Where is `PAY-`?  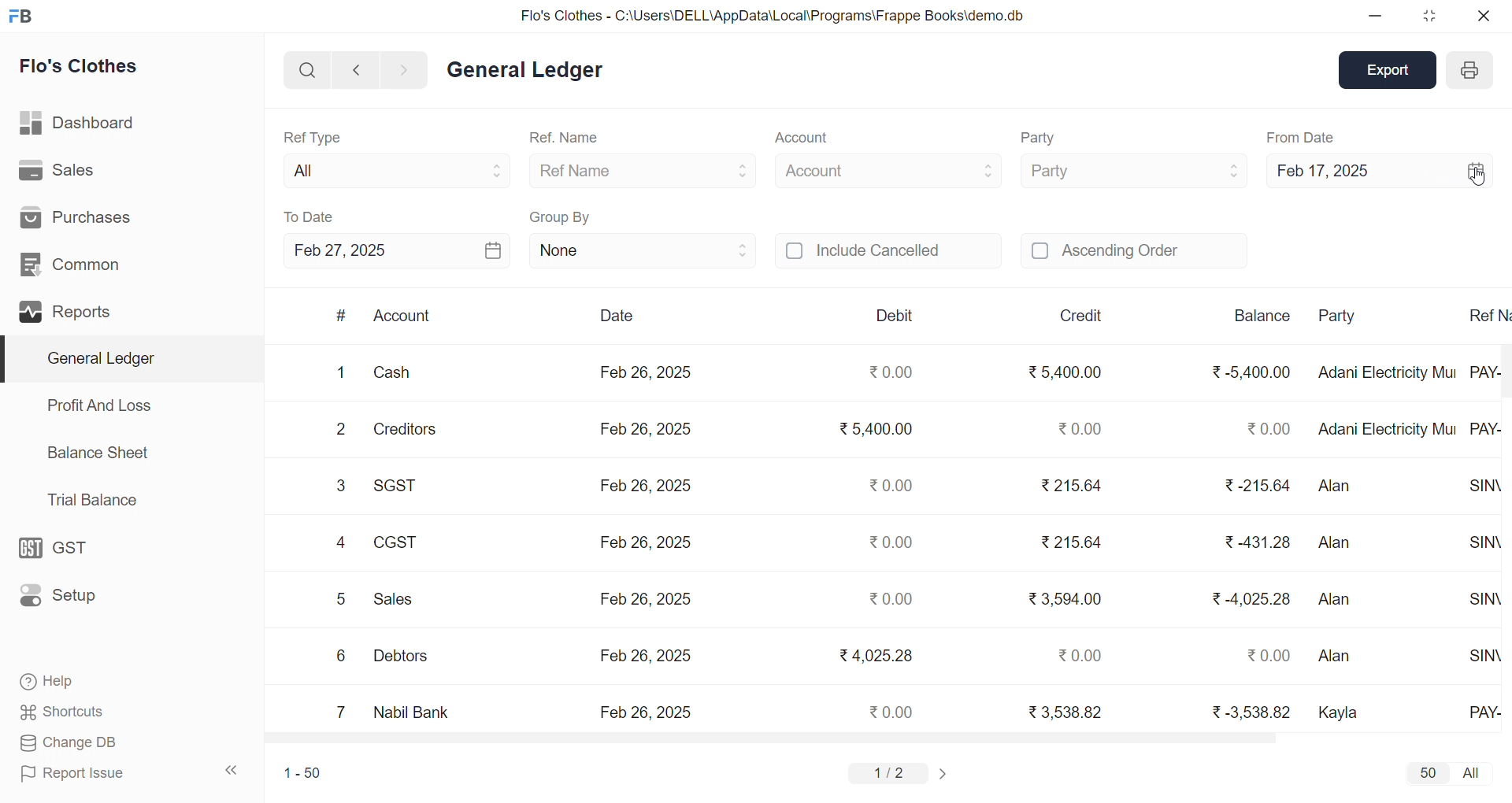 PAY- is located at coordinates (1482, 712).